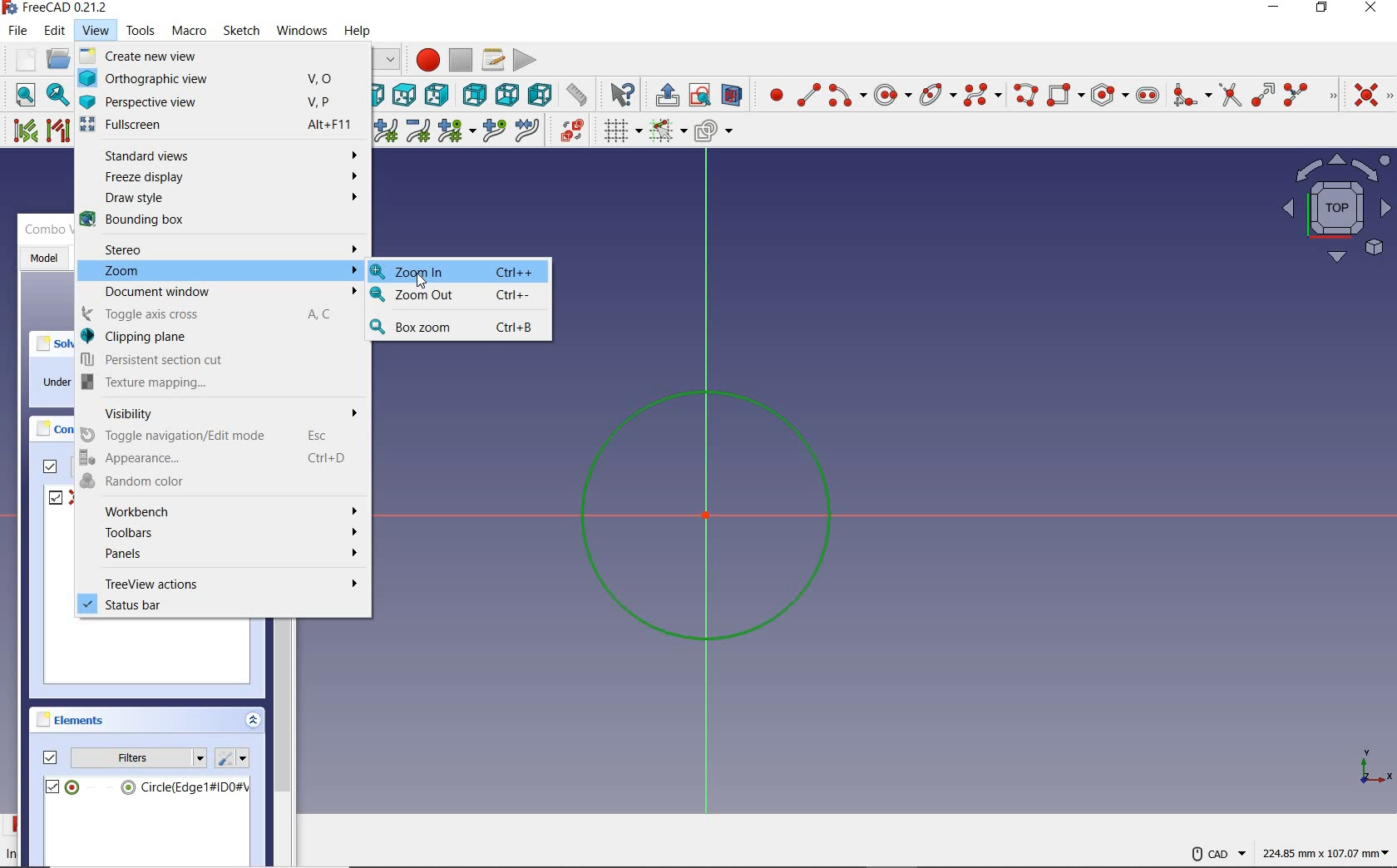 The image size is (1397, 868). I want to click on under constrained: 1DoF, so click(54, 383).